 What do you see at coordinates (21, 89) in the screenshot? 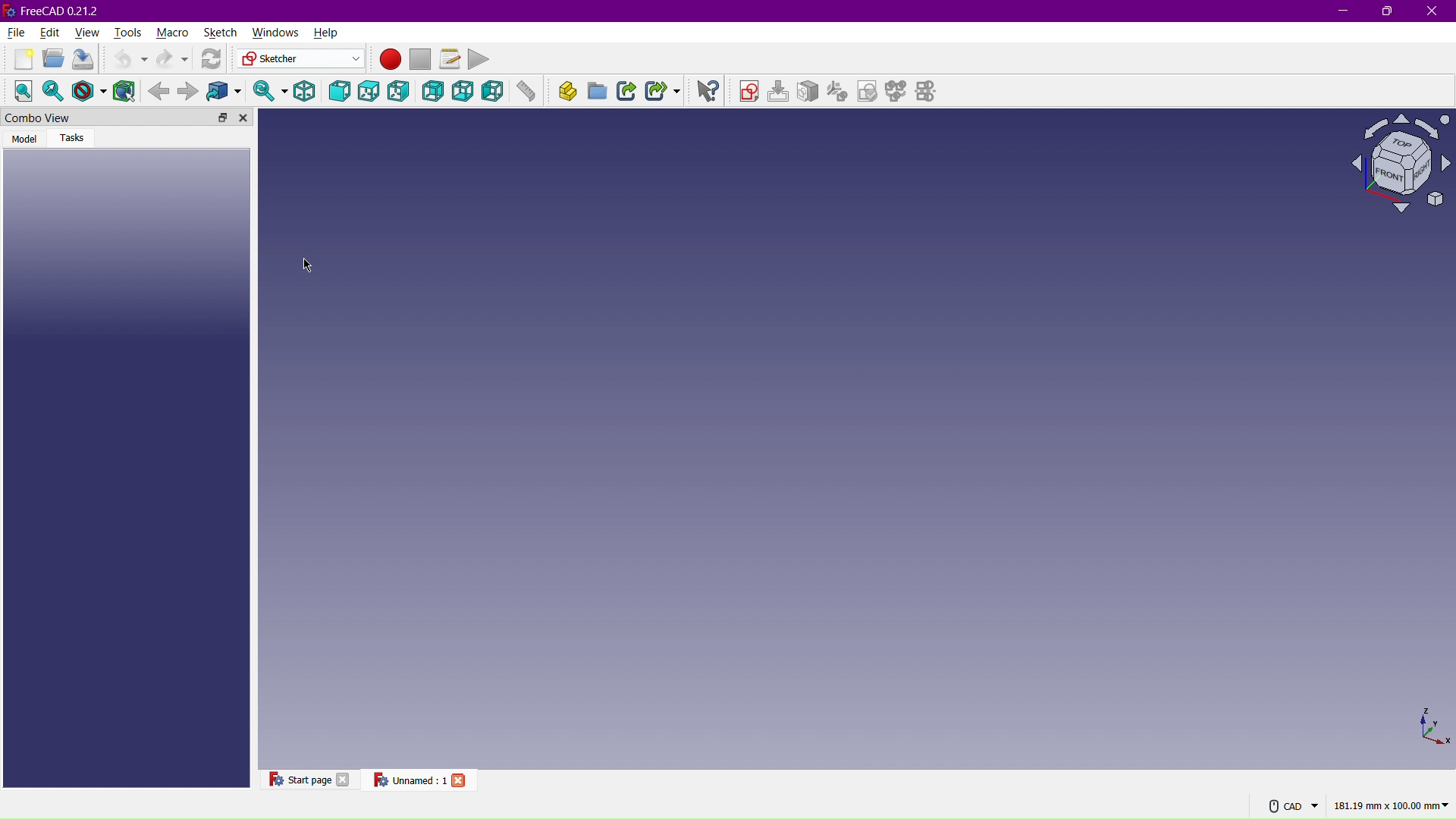
I see `Fit All` at bounding box center [21, 89].